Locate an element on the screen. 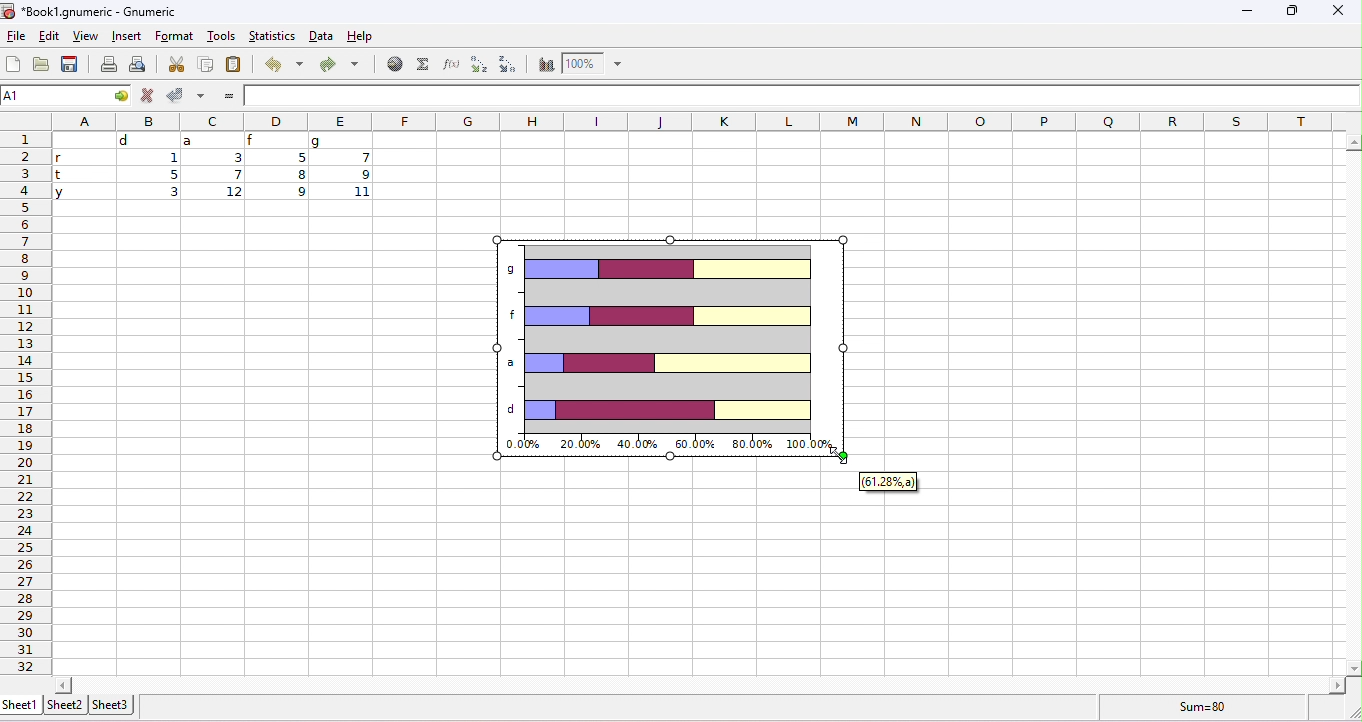 The image size is (1362, 722). 61.28% is located at coordinates (888, 482).